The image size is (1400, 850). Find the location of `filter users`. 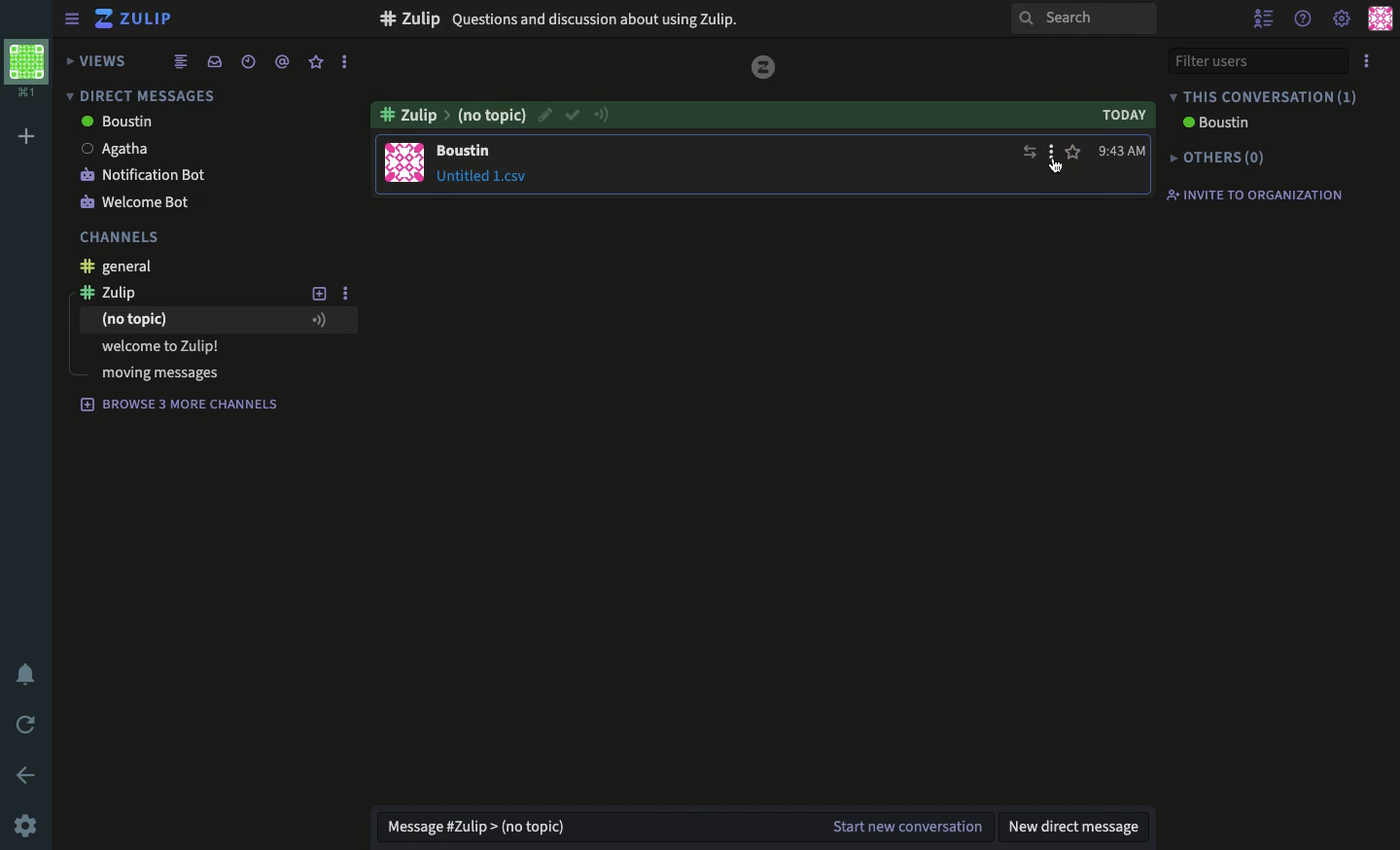

filter users is located at coordinates (1255, 62).